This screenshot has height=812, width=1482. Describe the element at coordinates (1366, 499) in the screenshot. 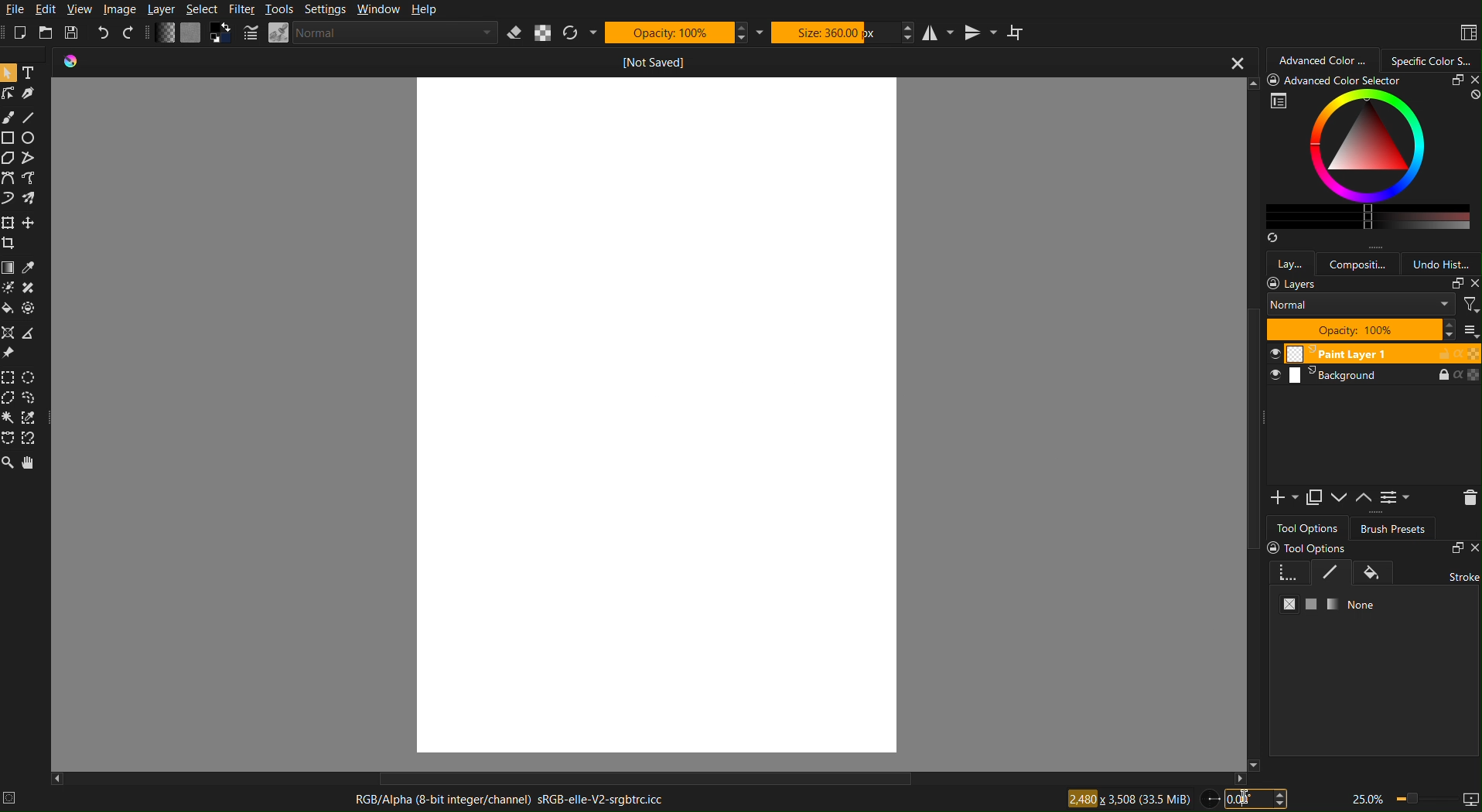

I see `Up` at that location.